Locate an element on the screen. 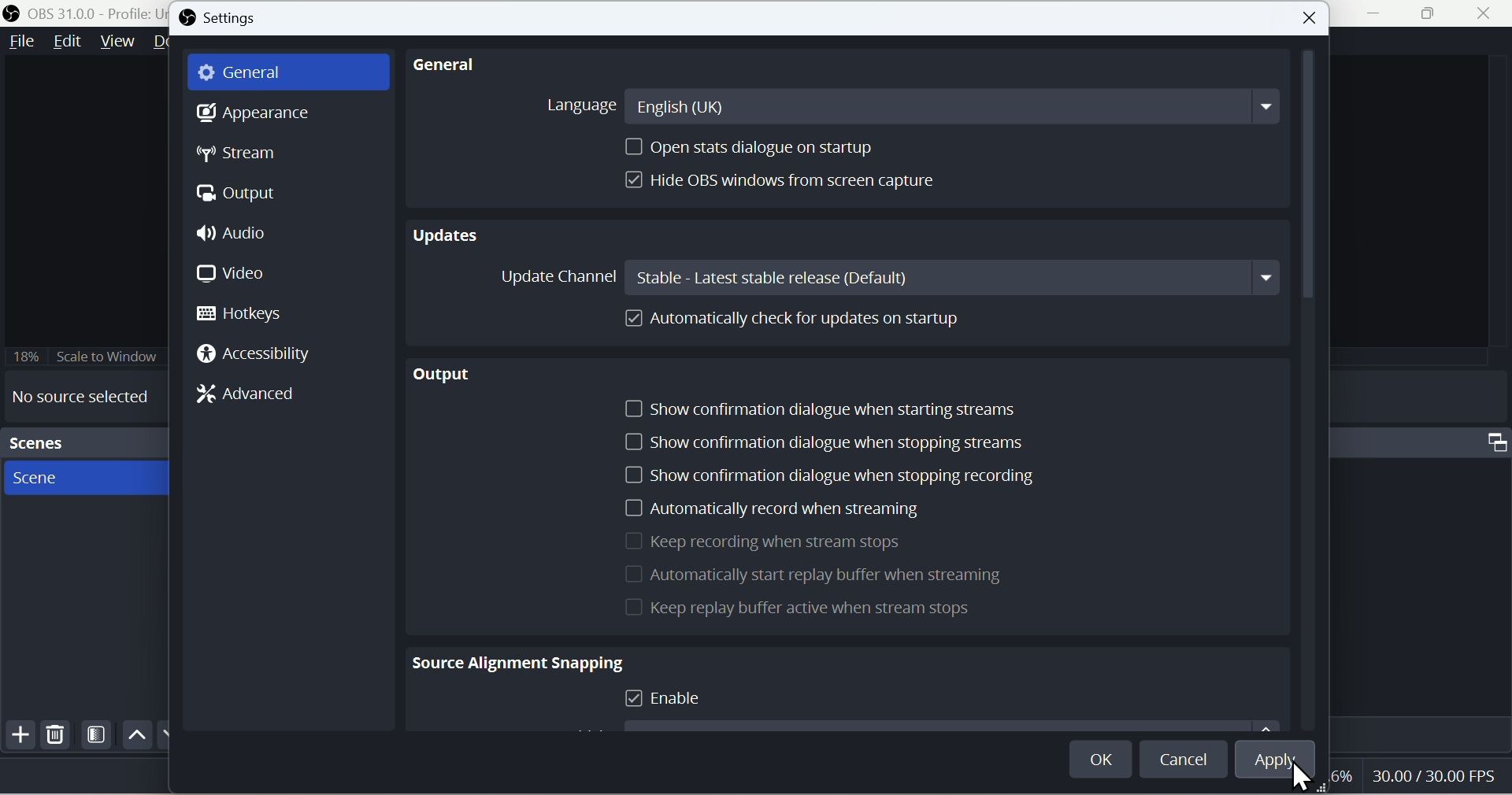  Show confirmation dialogue when stopping streams is located at coordinates (831, 442).